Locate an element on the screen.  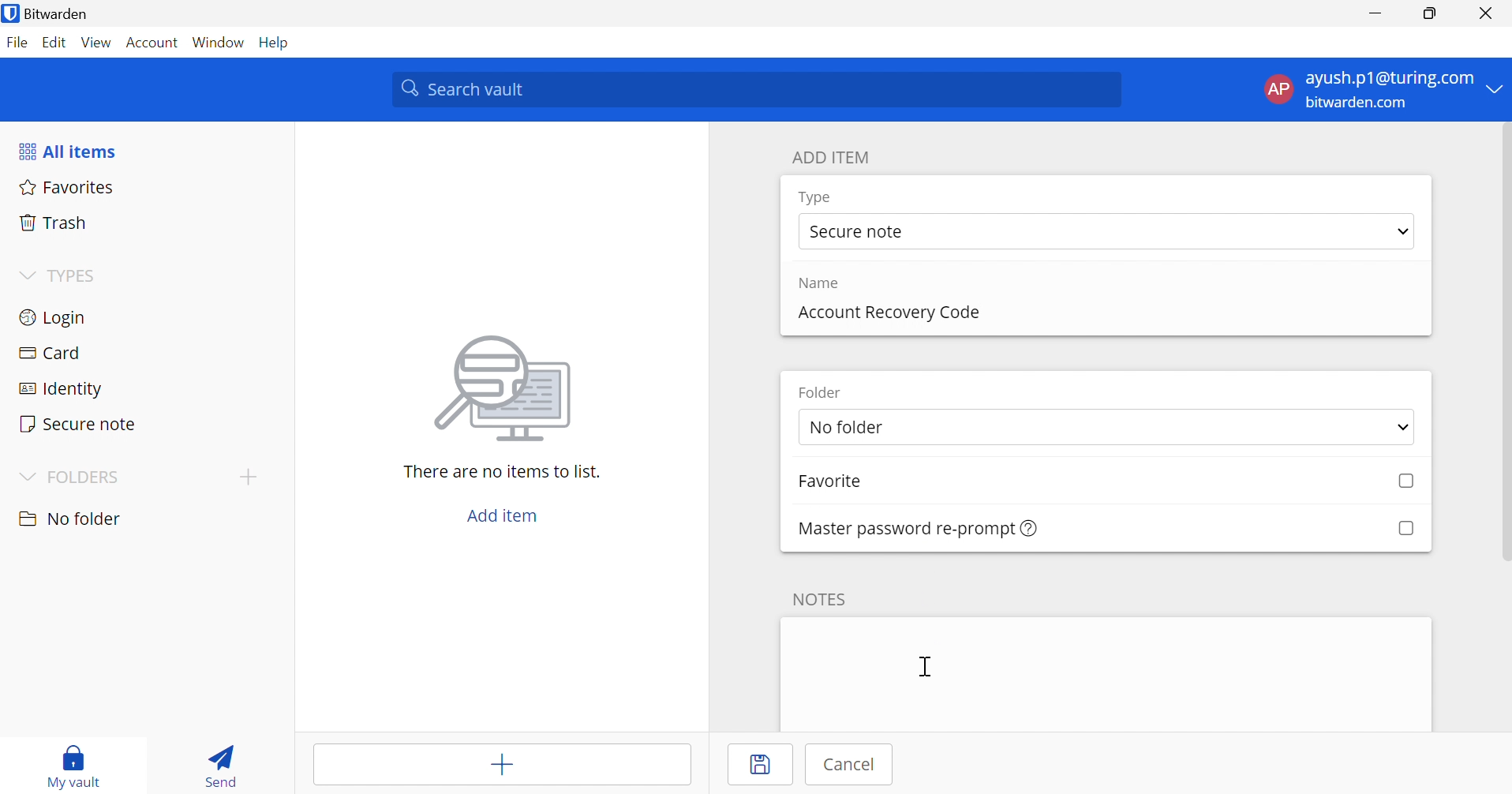
No folder is located at coordinates (73, 519).